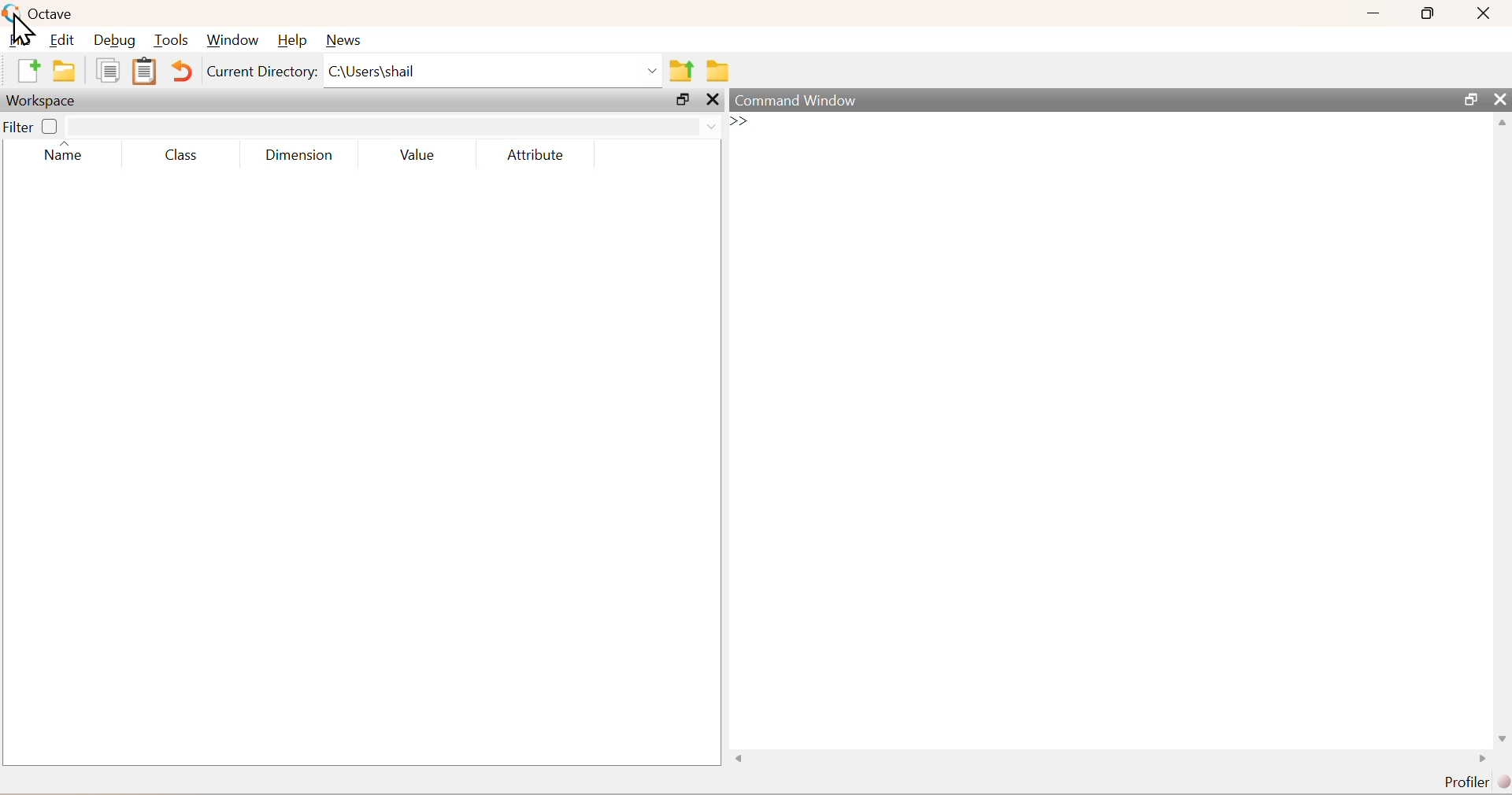 The image size is (1512, 795). I want to click on Undo, so click(181, 72).